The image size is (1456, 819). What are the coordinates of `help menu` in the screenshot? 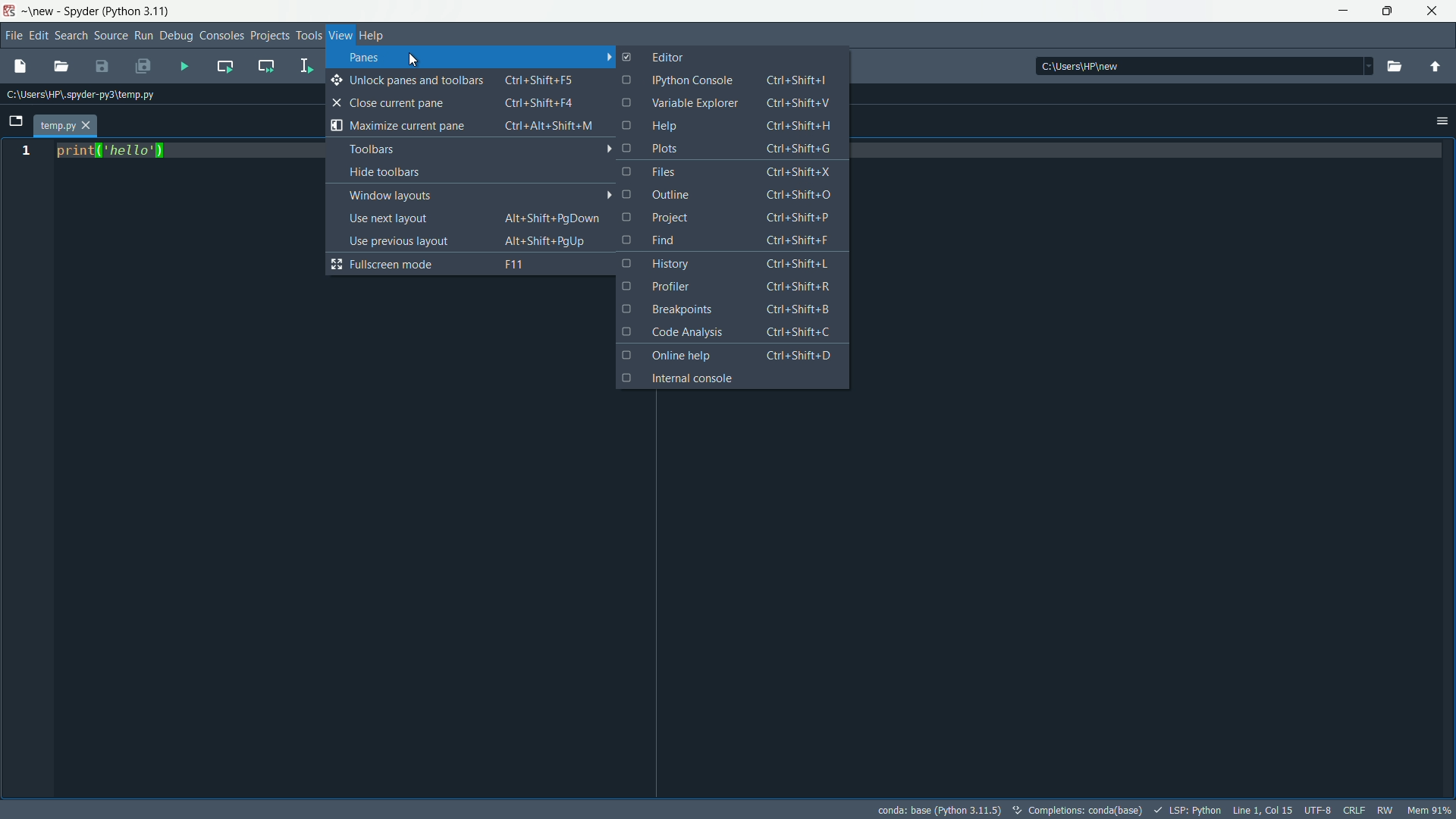 It's located at (375, 35).